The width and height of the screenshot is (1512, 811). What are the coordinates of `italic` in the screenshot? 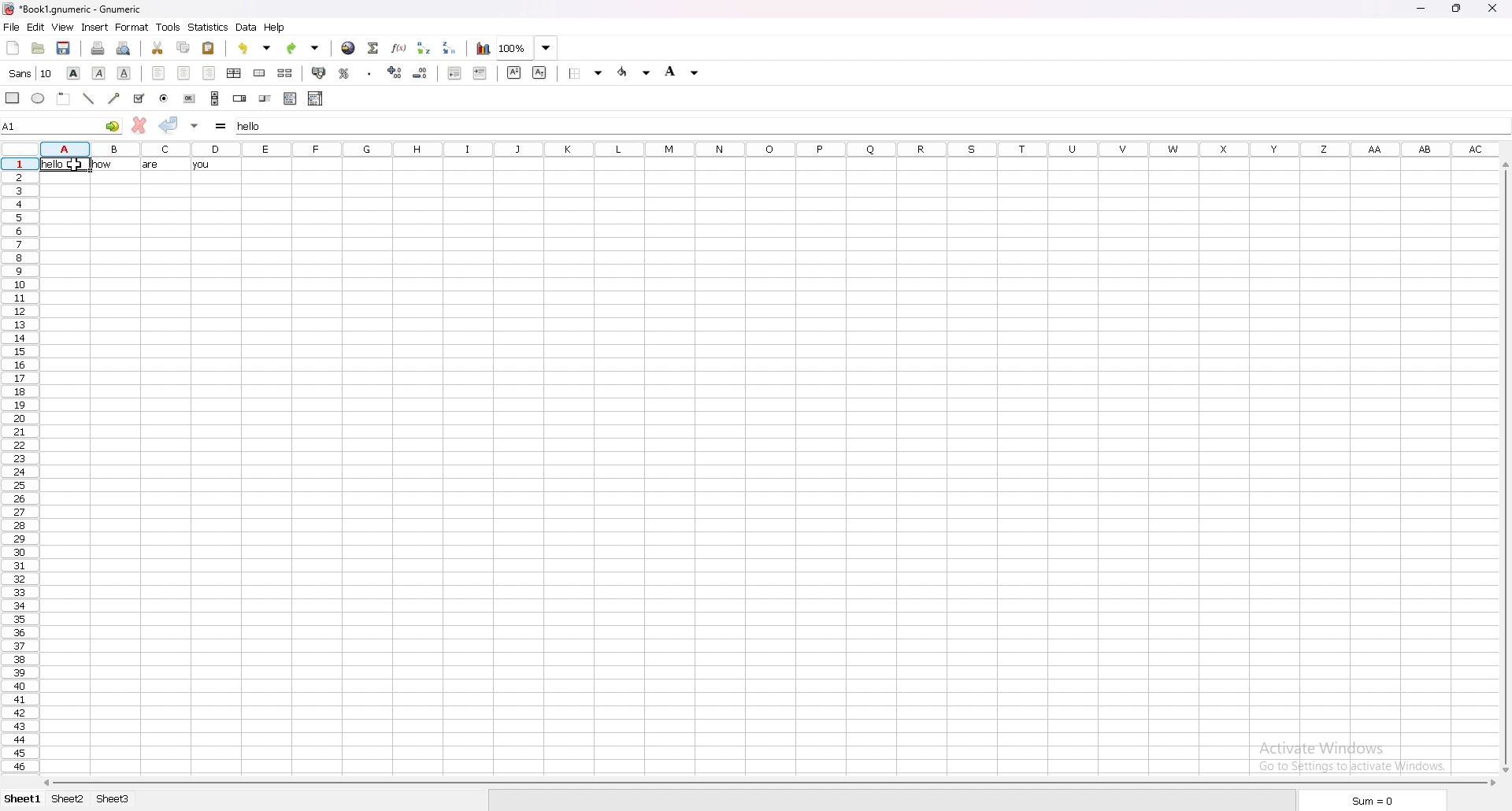 It's located at (98, 72).